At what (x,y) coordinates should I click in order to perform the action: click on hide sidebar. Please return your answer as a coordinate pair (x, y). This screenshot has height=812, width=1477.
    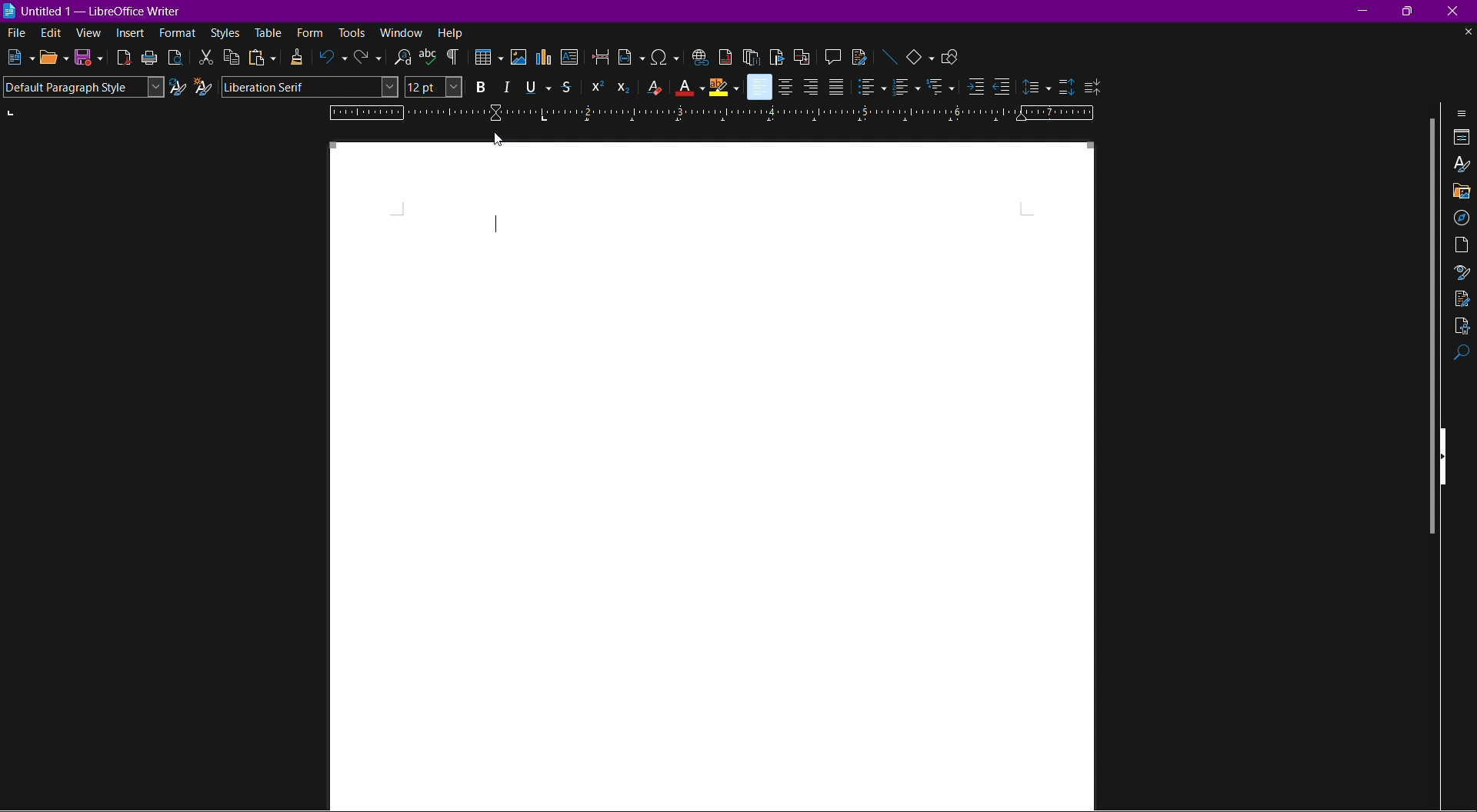
    Looking at the image, I should click on (1448, 454).